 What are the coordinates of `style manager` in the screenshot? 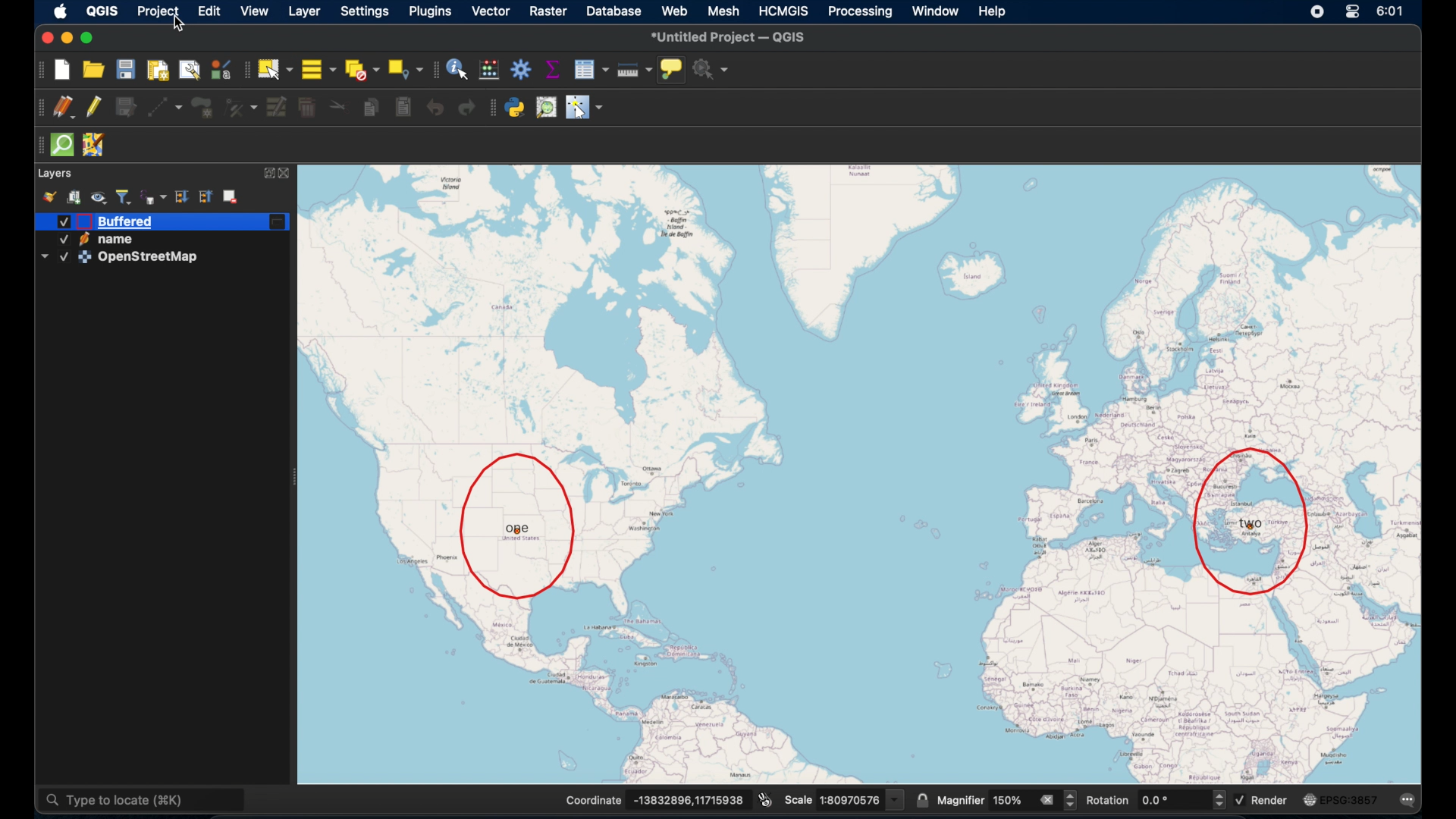 It's located at (220, 69).